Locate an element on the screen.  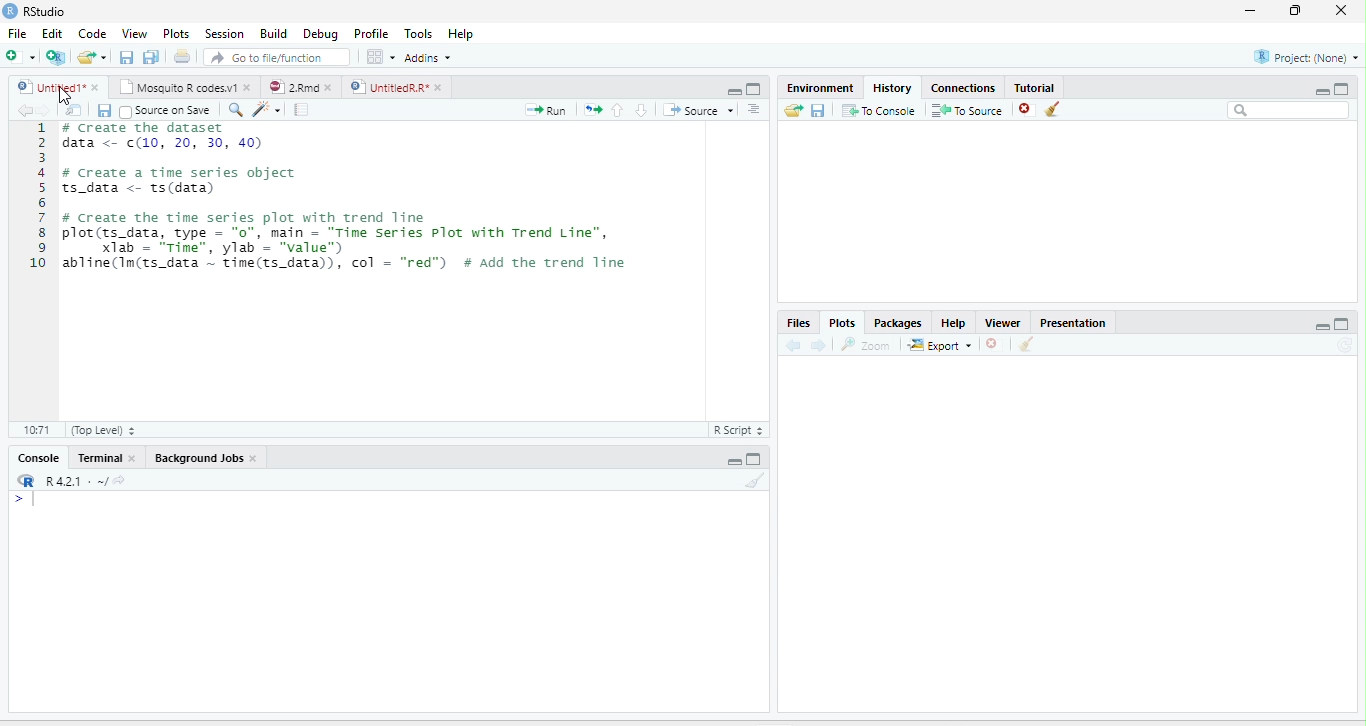
Create a project is located at coordinates (55, 56).